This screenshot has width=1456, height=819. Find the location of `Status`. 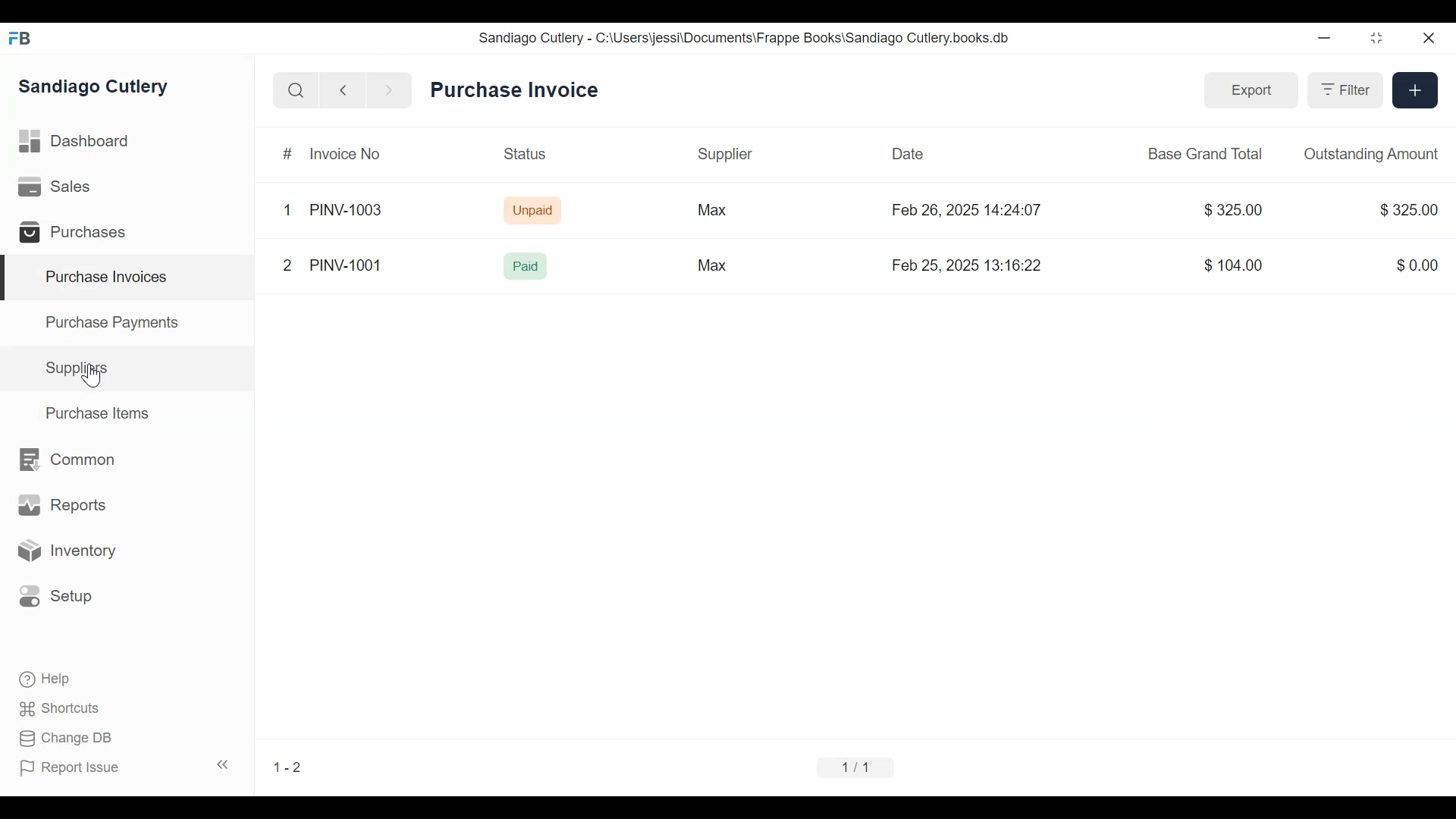

Status is located at coordinates (528, 152).